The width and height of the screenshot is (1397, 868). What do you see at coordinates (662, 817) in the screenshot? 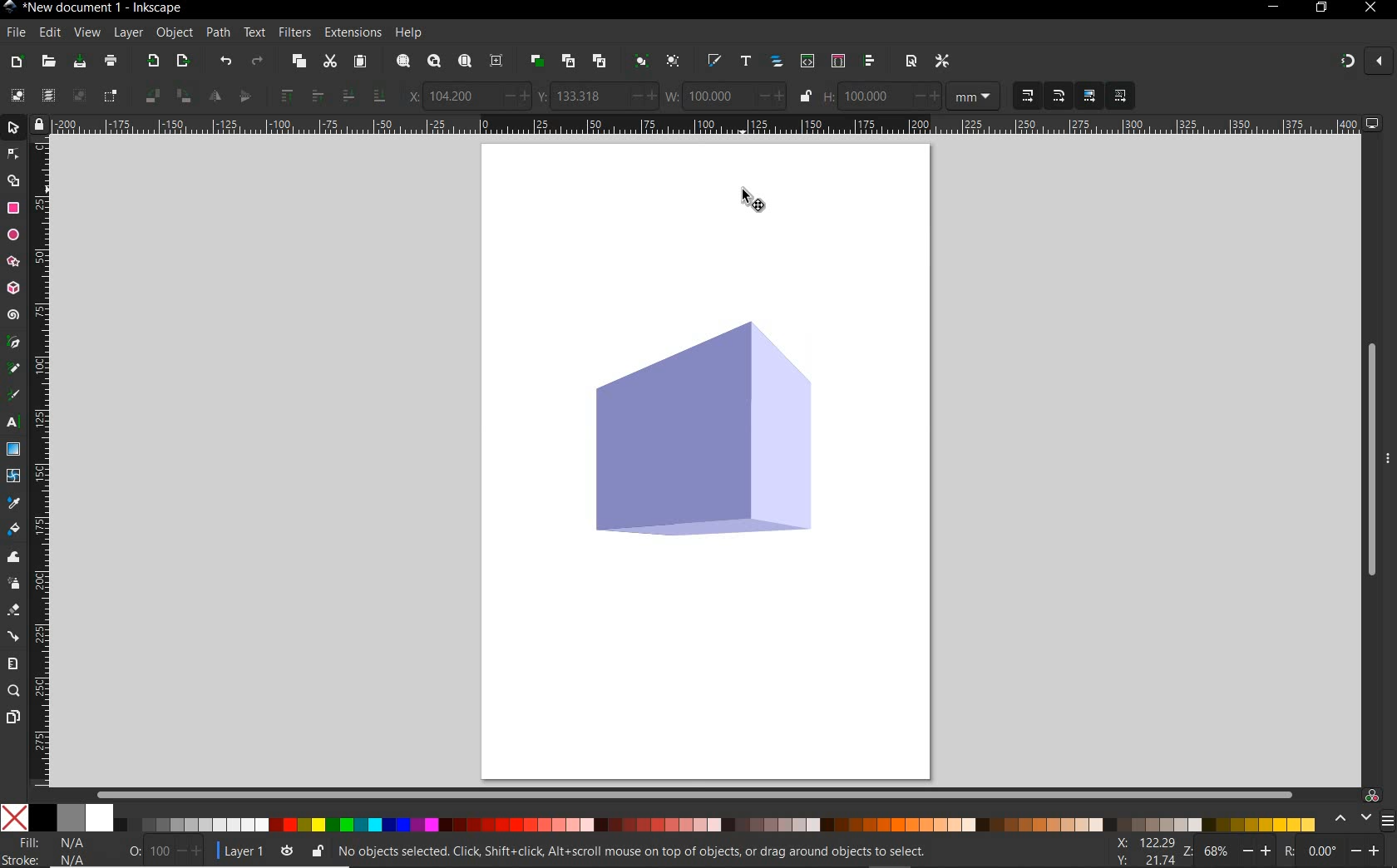
I see `color mode` at bounding box center [662, 817].